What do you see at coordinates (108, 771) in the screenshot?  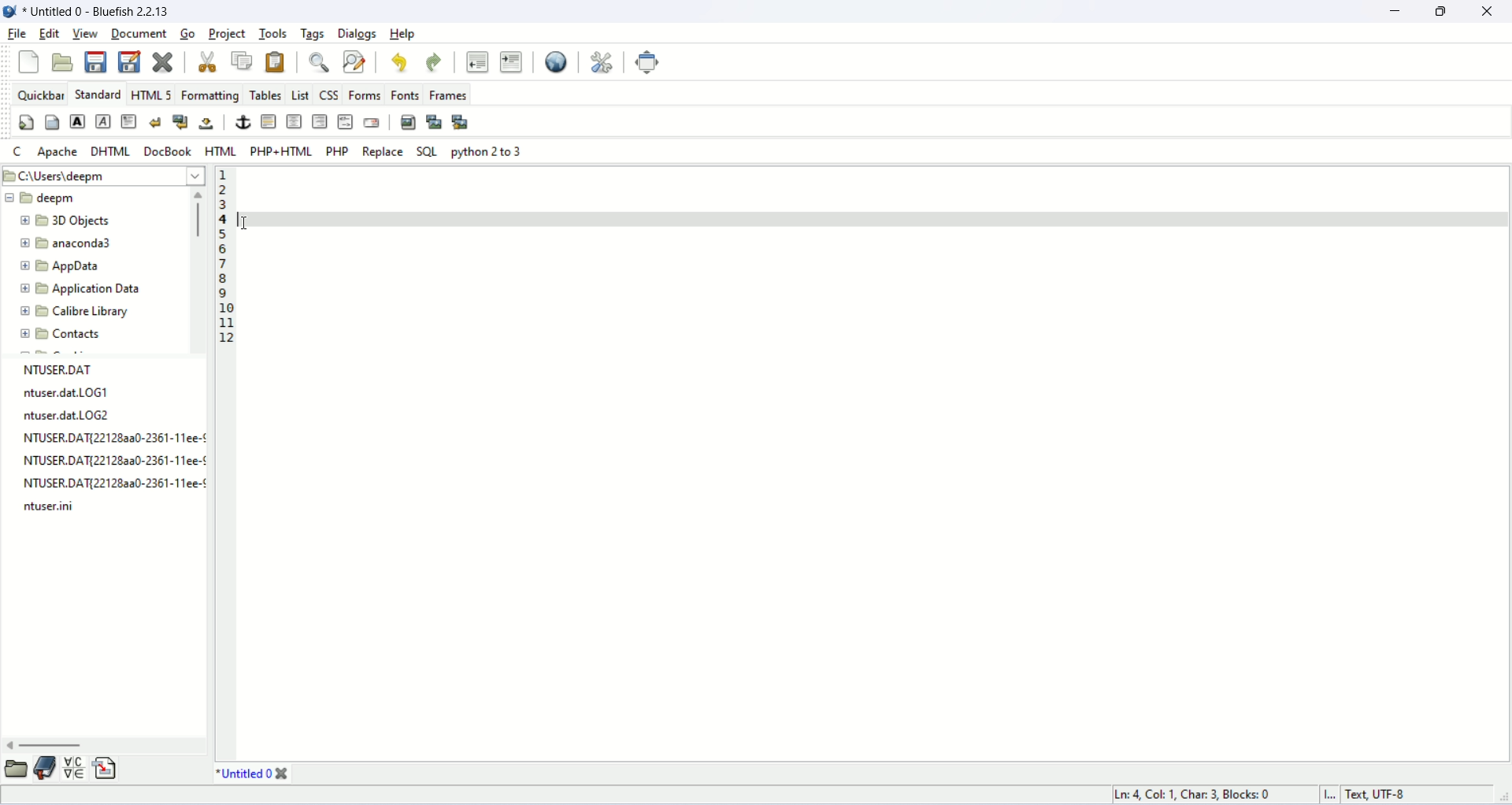 I see `snippets` at bounding box center [108, 771].